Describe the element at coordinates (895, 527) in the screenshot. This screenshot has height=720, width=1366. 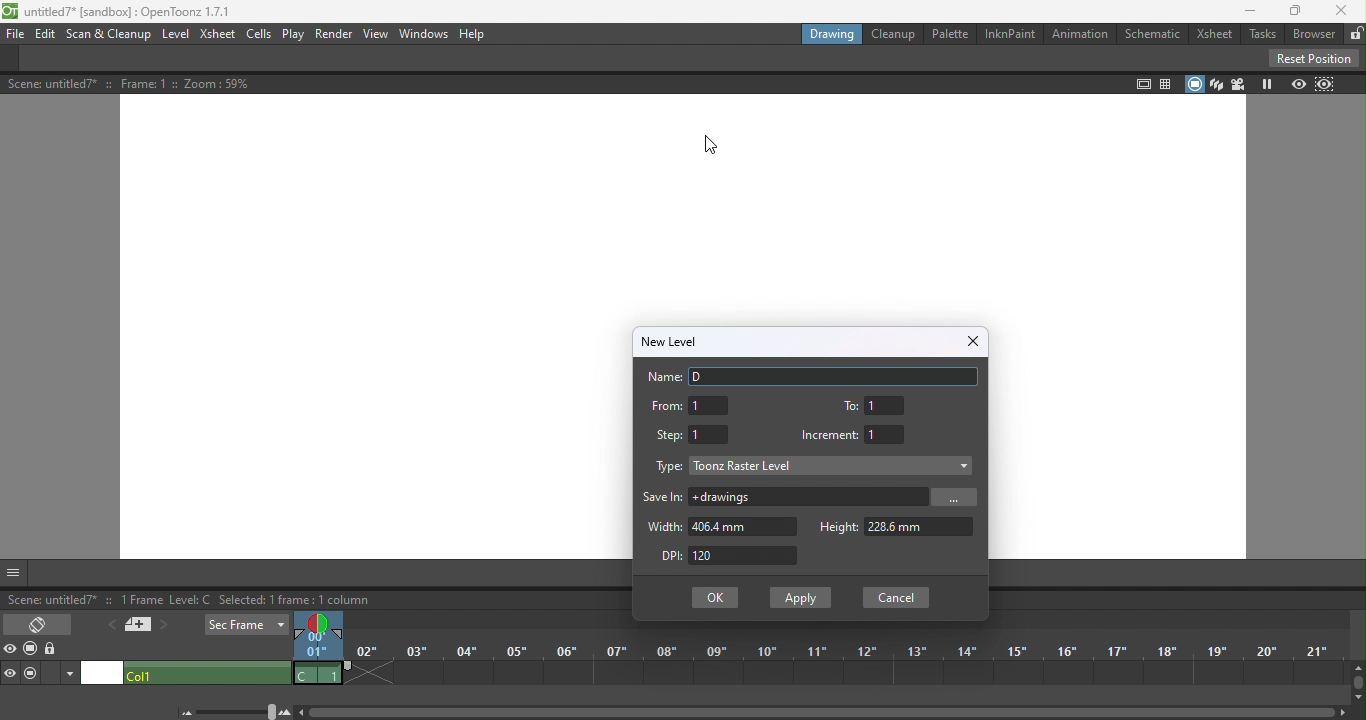
I see `Height` at that location.